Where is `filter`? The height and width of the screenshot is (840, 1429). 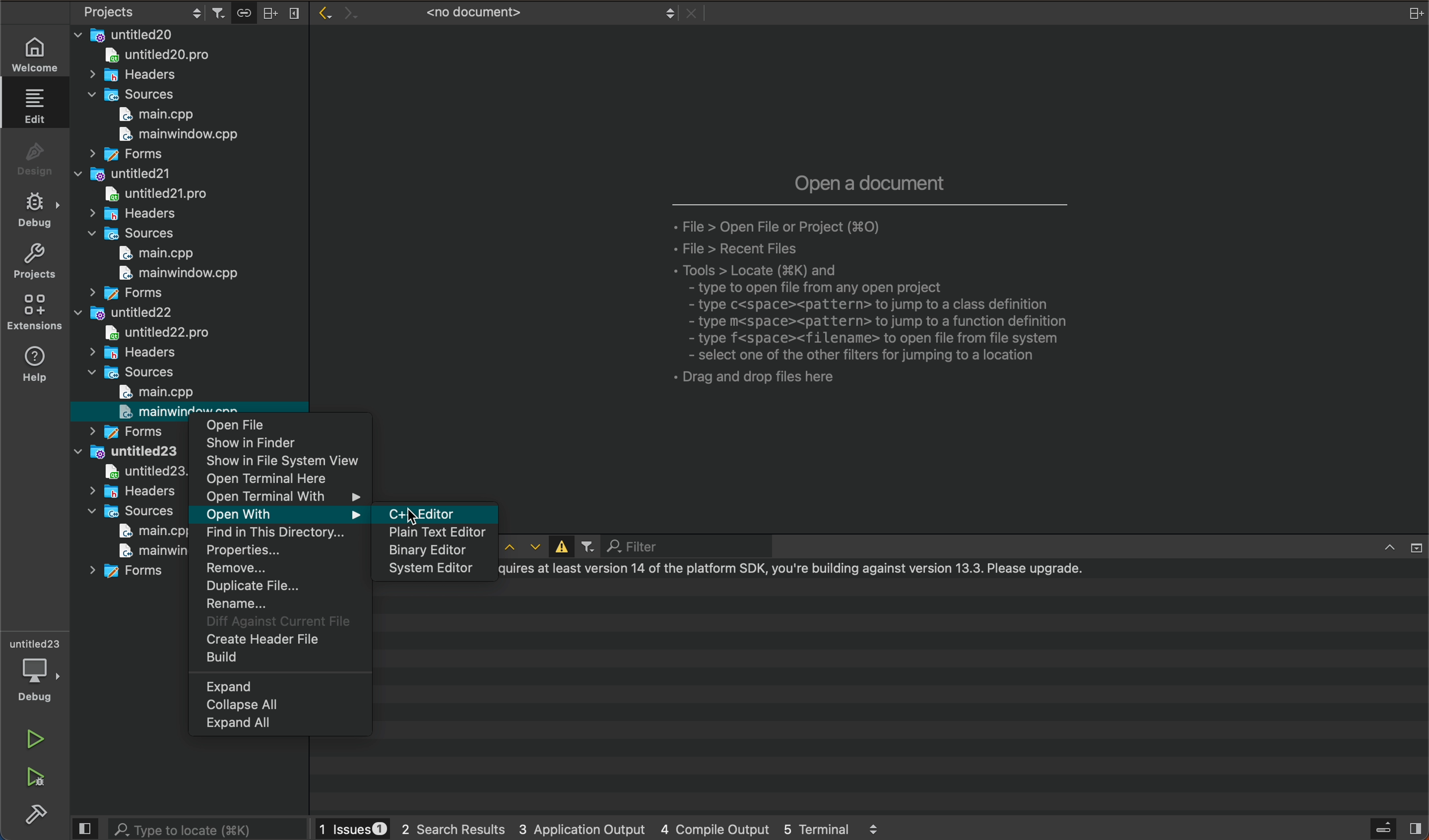
filter is located at coordinates (587, 548).